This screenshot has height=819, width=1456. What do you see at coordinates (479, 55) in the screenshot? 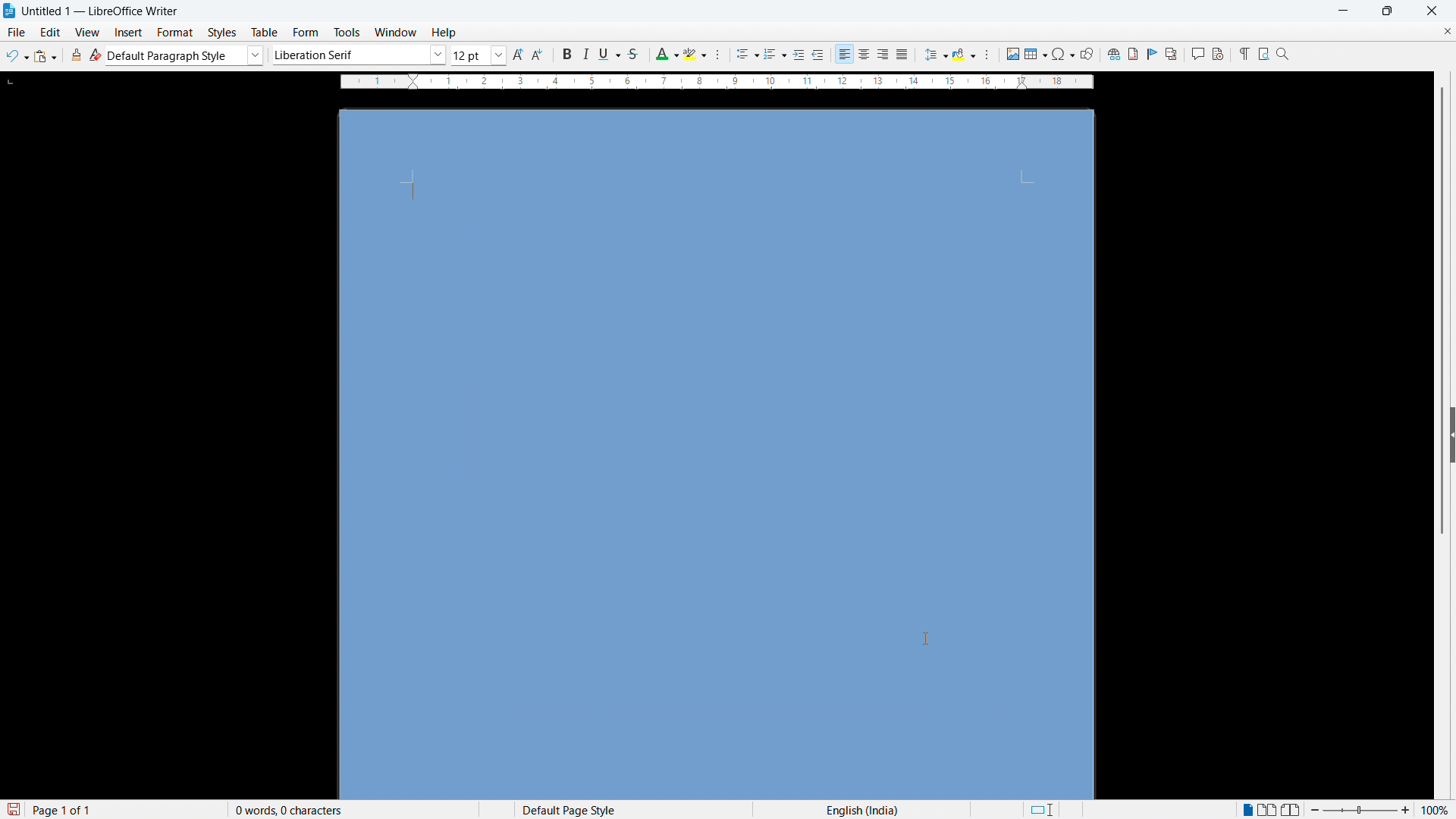
I see `Set font size ` at bounding box center [479, 55].